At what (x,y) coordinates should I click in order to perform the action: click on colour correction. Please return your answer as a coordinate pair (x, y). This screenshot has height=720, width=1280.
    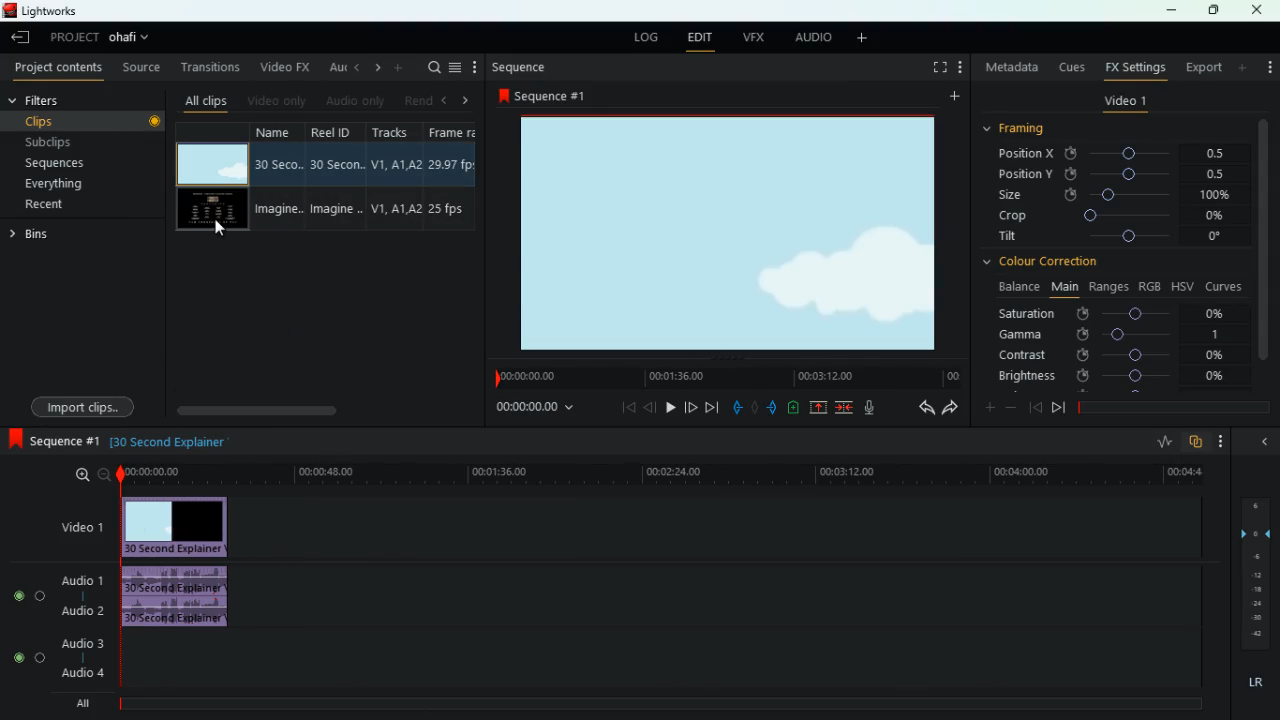
    Looking at the image, I should click on (1048, 261).